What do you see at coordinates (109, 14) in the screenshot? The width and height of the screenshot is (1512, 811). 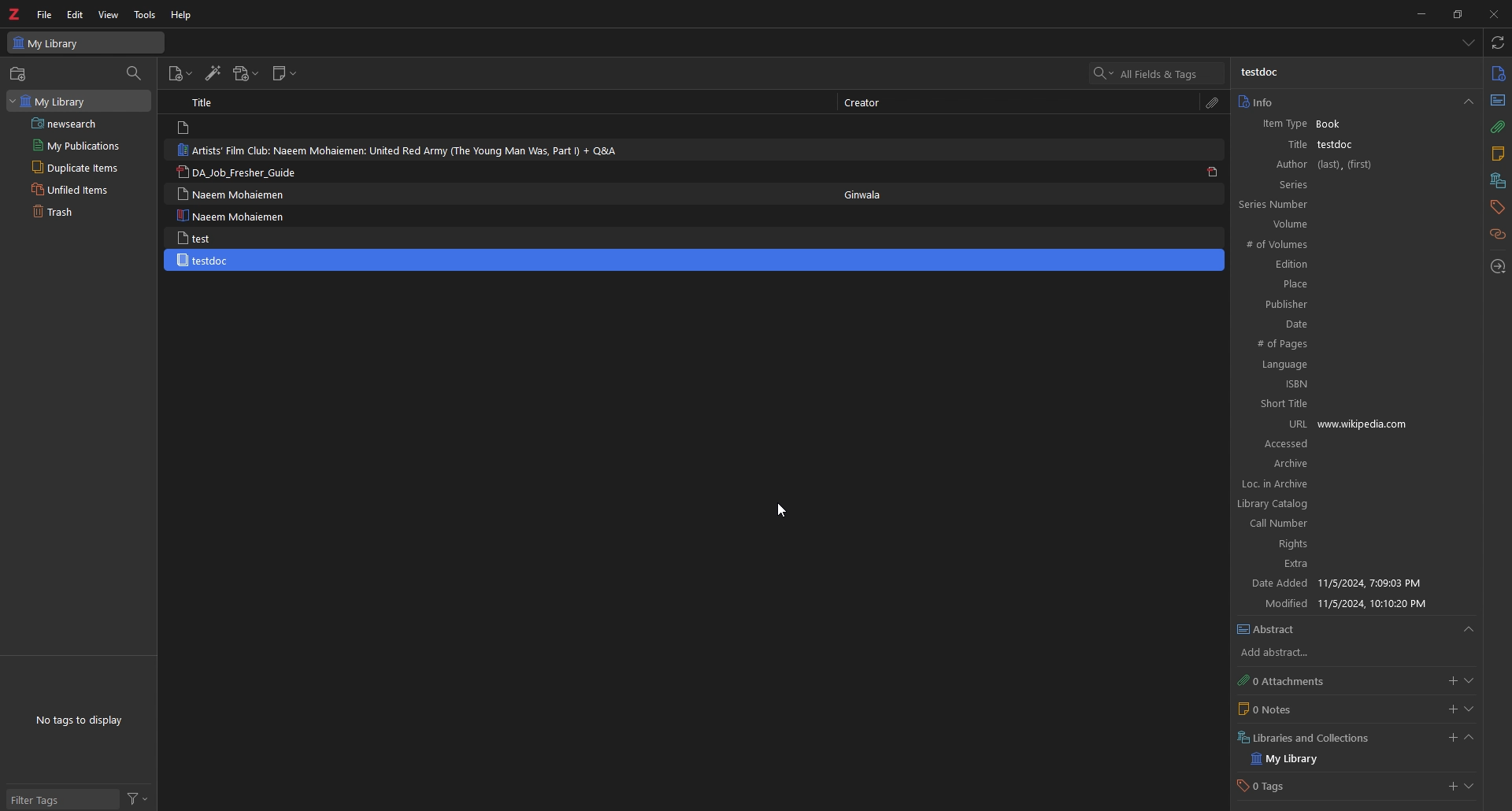 I see `view` at bounding box center [109, 14].